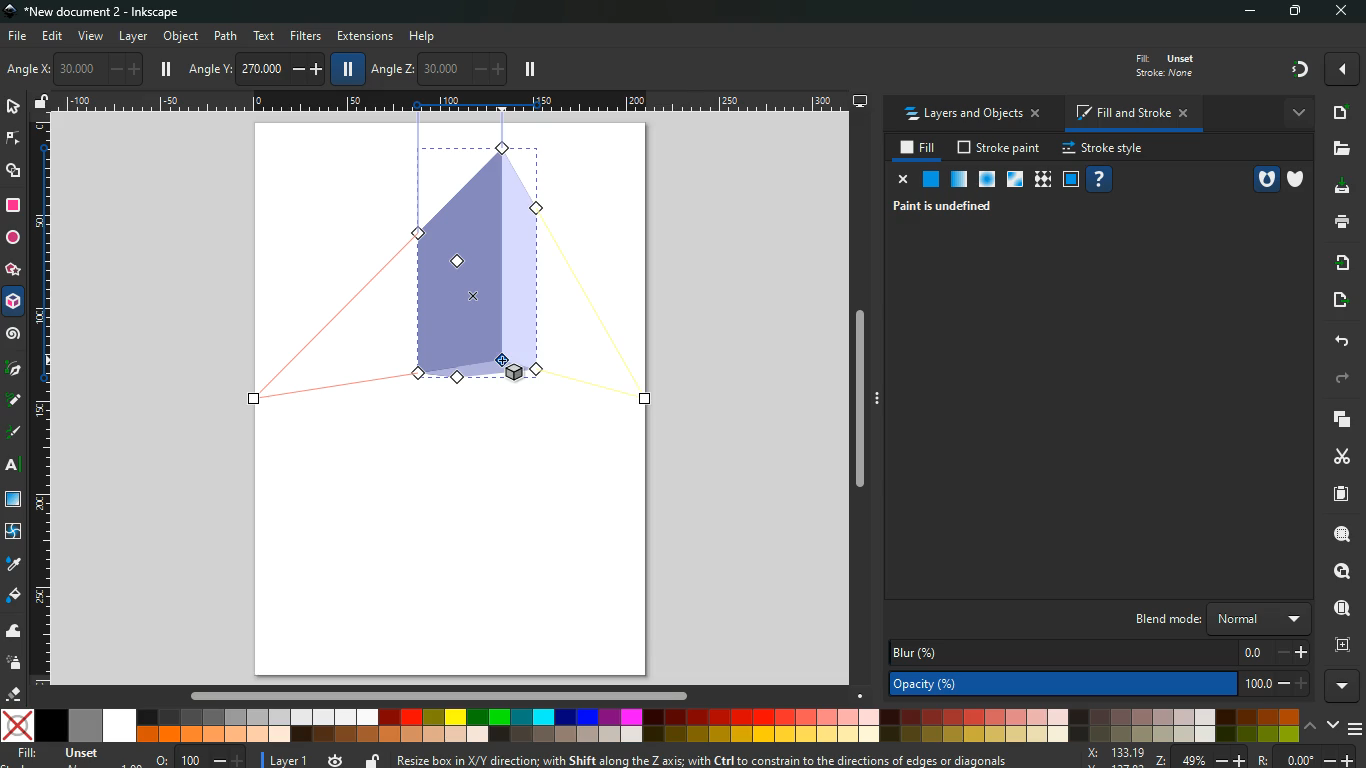  Describe the element at coordinates (1162, 64) in the screenshot. I see `fill` at that location.